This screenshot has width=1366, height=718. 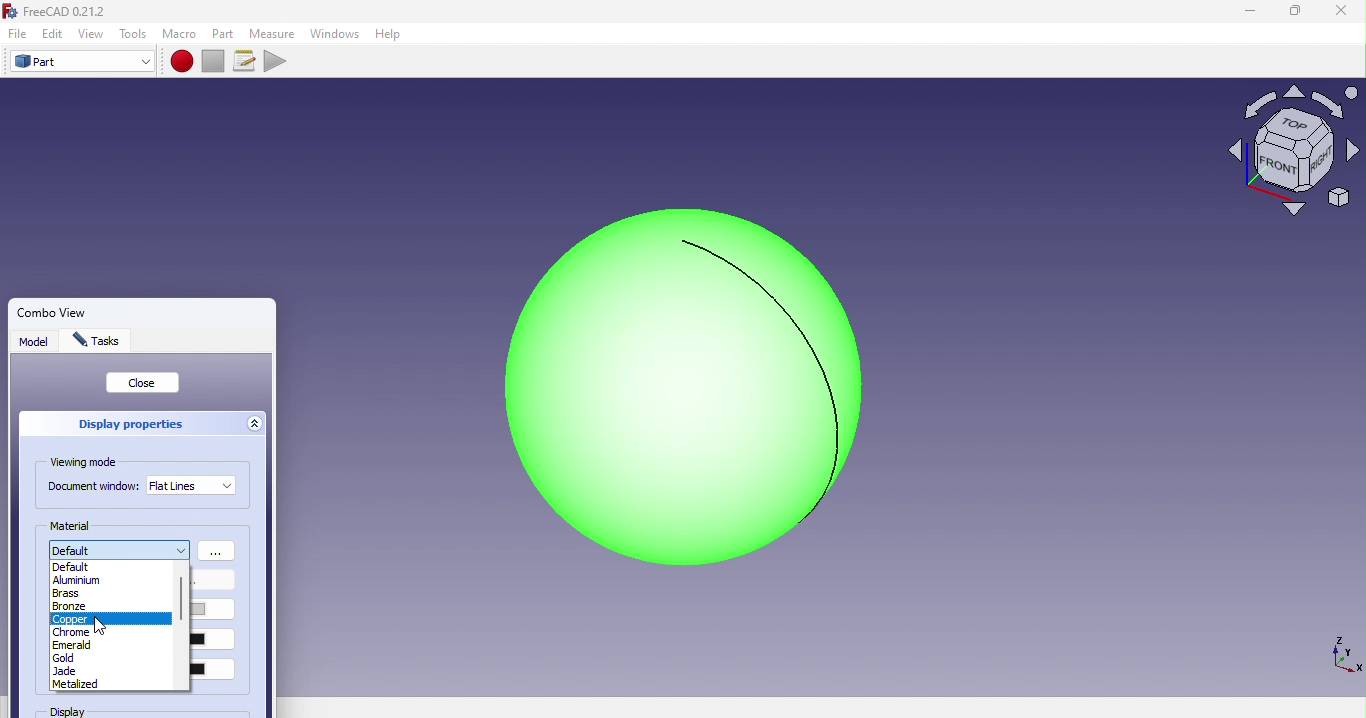 What do you see at coordinates (62, 670) in the screenshot?
I see `Jade` at bounding box center [62, 670].